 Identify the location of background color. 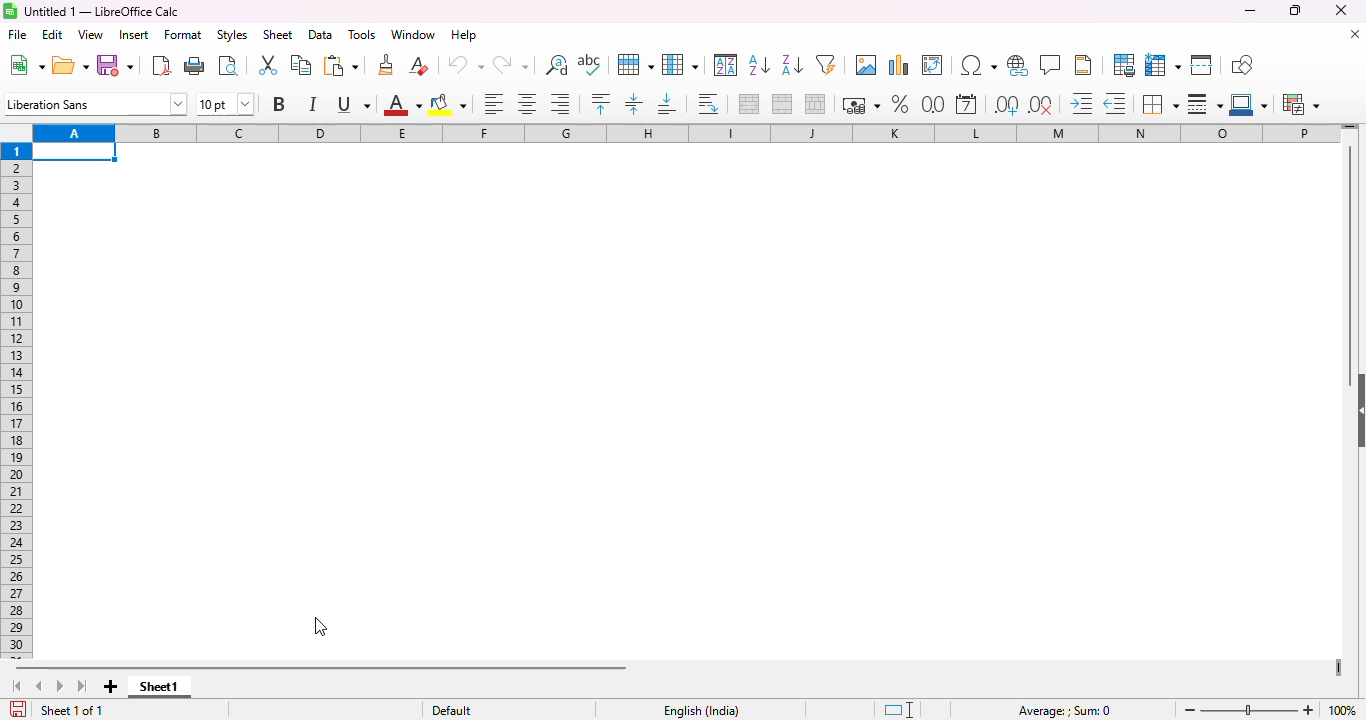
(449, 105).